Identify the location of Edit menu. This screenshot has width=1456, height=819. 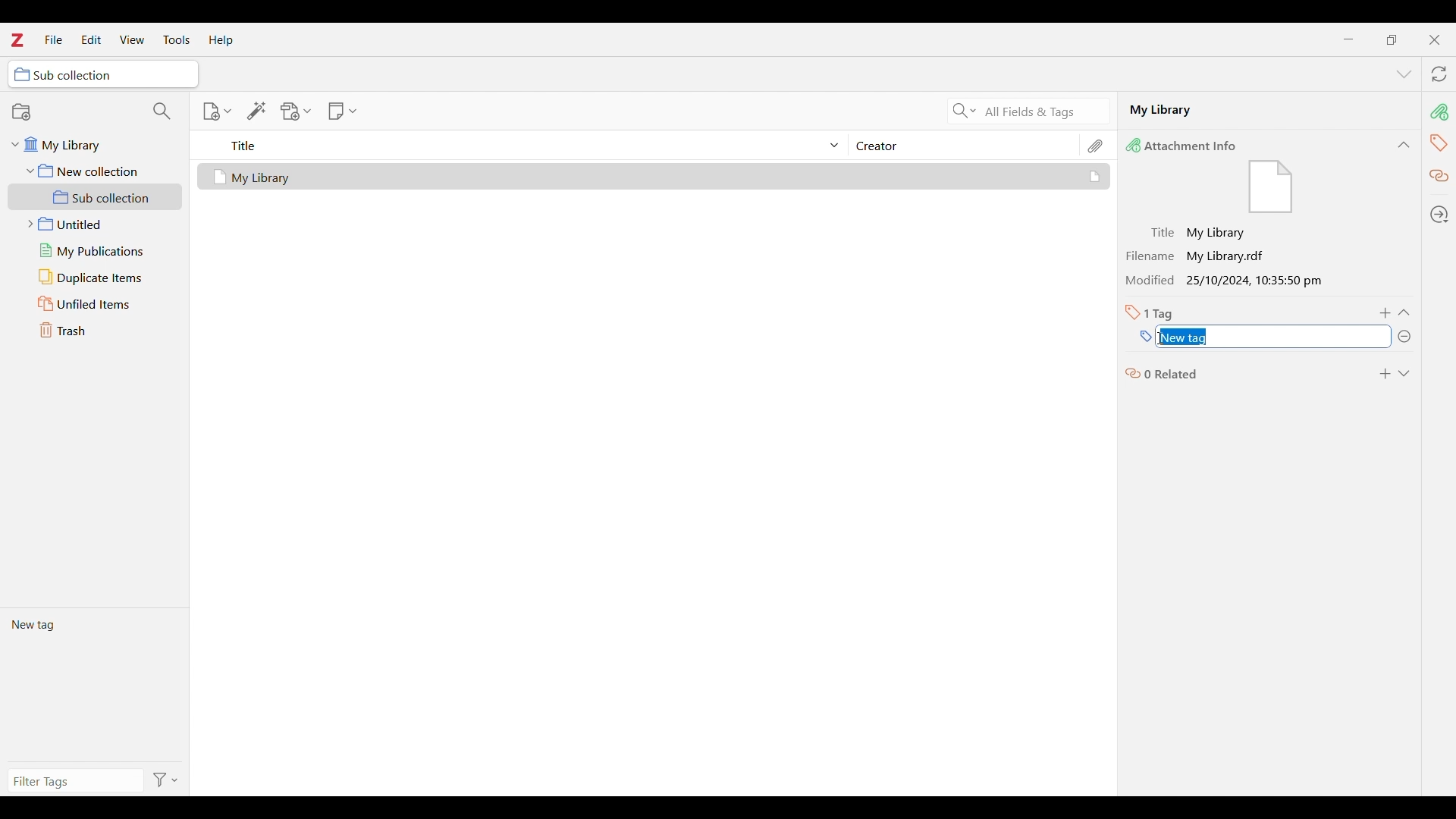
(91, 39).